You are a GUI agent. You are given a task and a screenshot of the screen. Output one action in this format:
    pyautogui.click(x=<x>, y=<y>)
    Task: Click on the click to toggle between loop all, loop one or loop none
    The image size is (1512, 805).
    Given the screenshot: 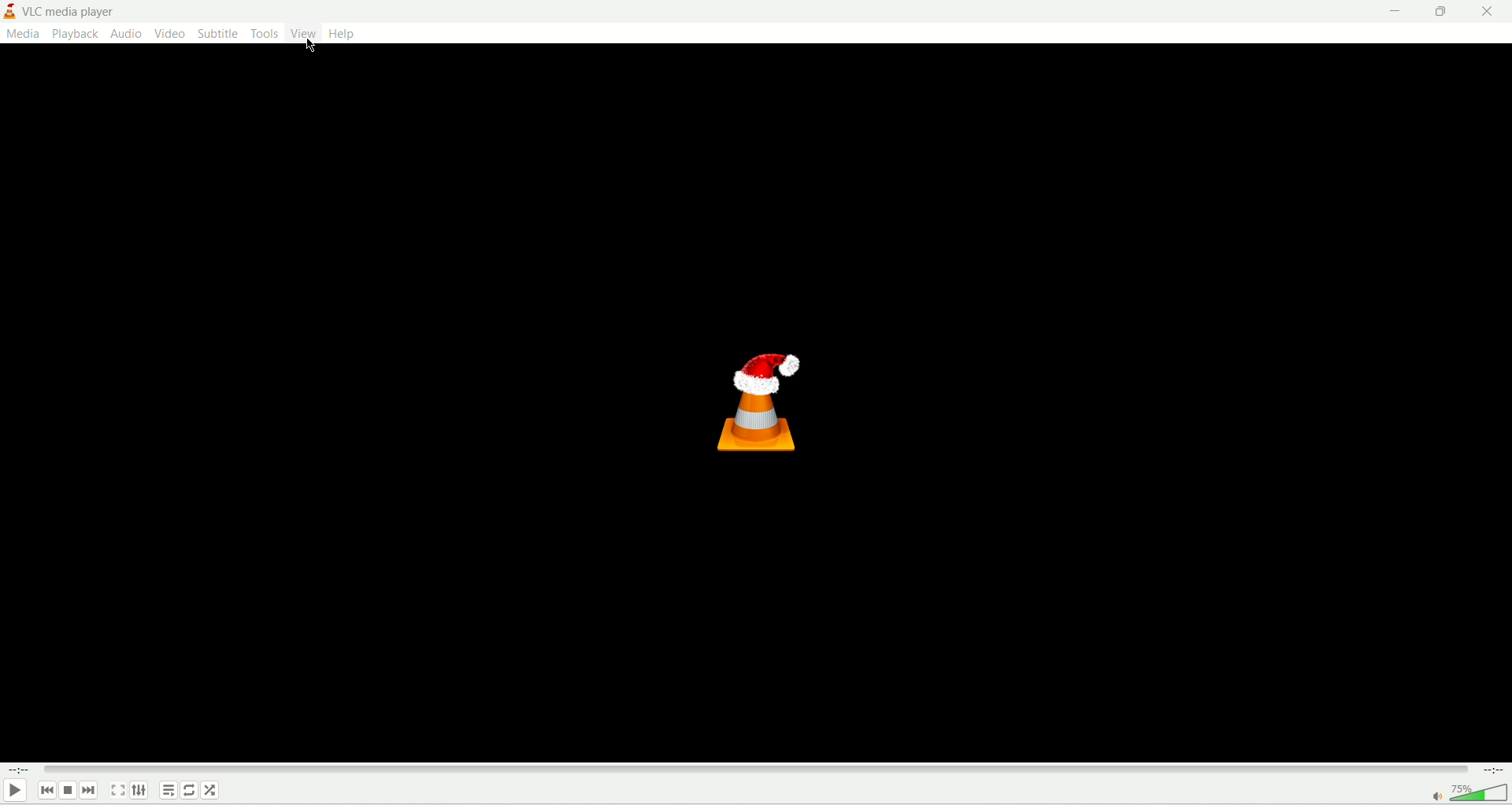 What is the action you would take?
    pyautogui.click(x=189, y=792)
    